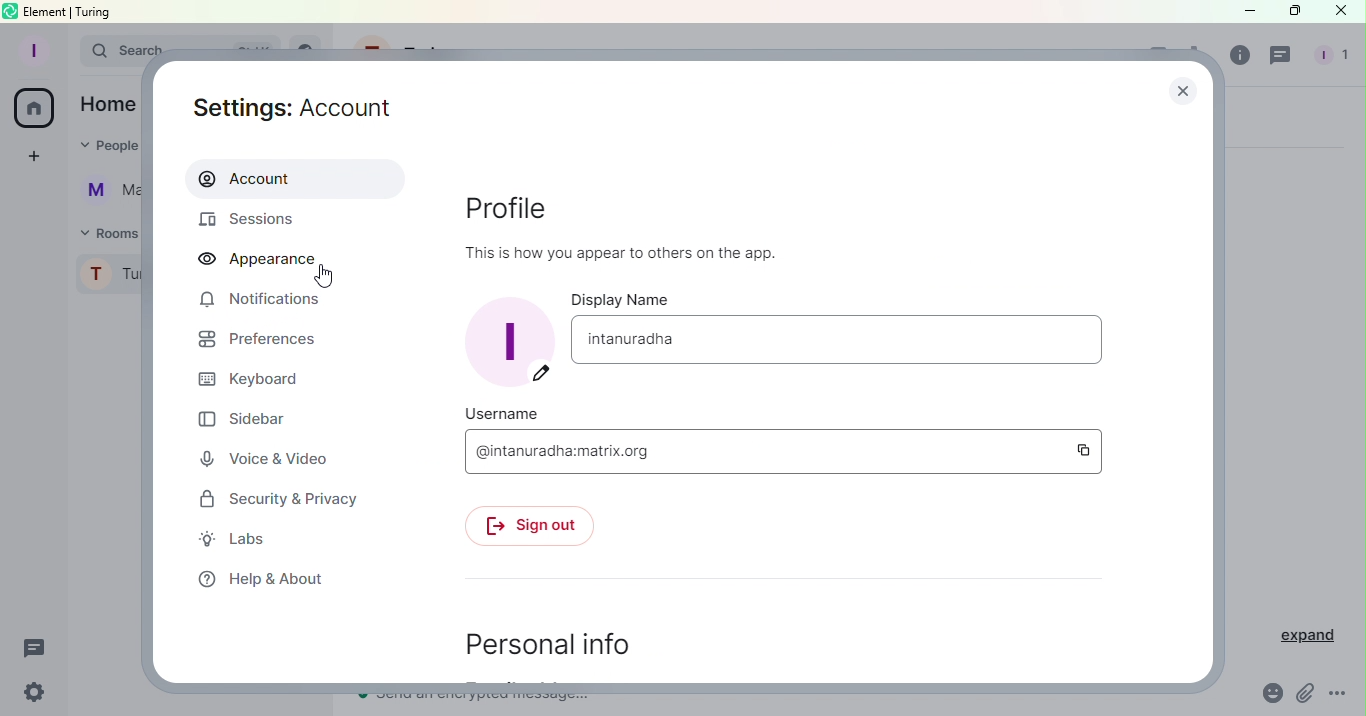 The height and width of the screenshot is (716, 1366). Describe the element at coordinates (109, 271) in the screenshot. I see `Turing` at that location.